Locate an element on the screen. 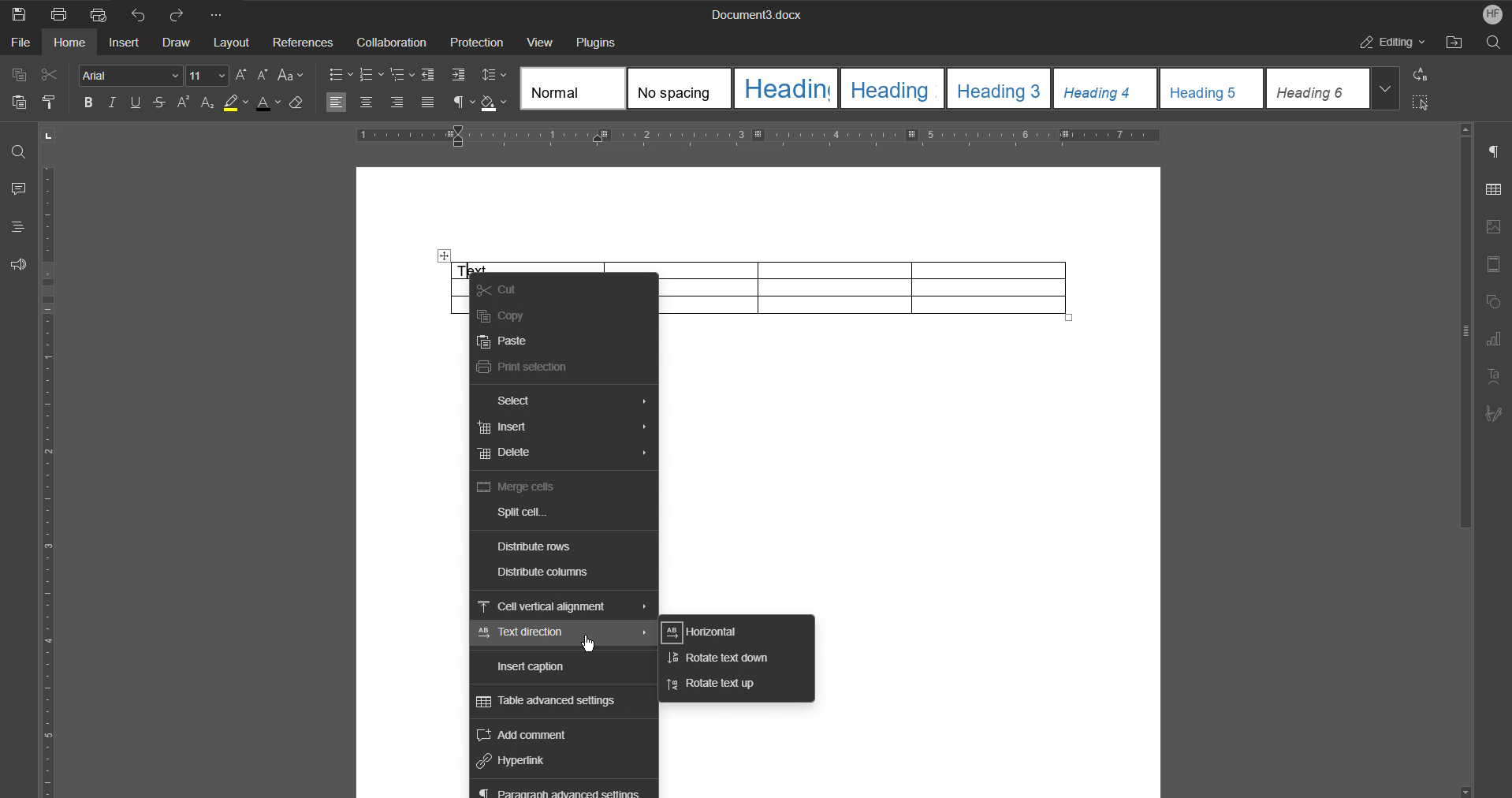 The image size is (1512, 798). Rotate text up is located at coordinates (717, 684).